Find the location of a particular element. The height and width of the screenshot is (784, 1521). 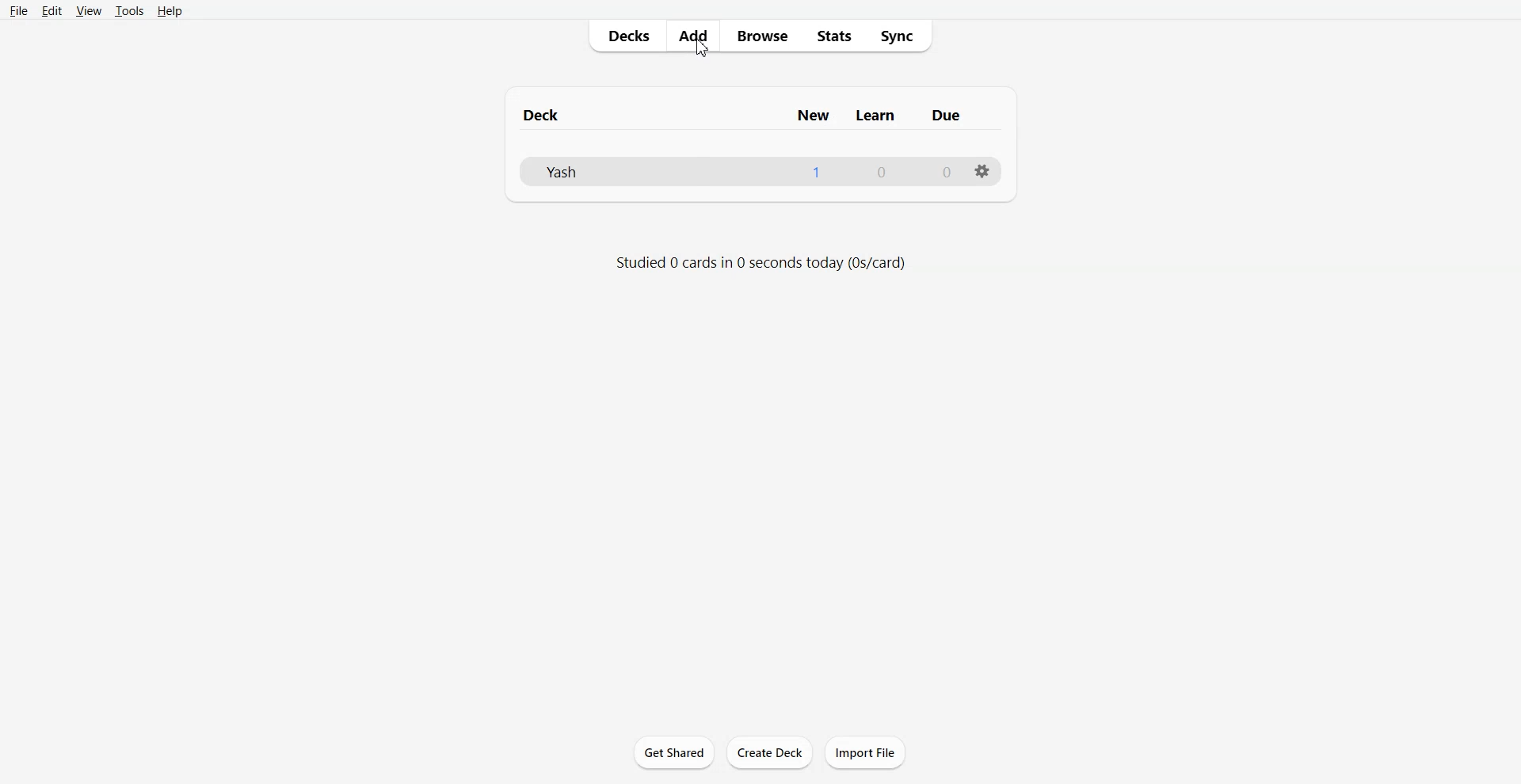

Edit is located at coordinates (52, 11).